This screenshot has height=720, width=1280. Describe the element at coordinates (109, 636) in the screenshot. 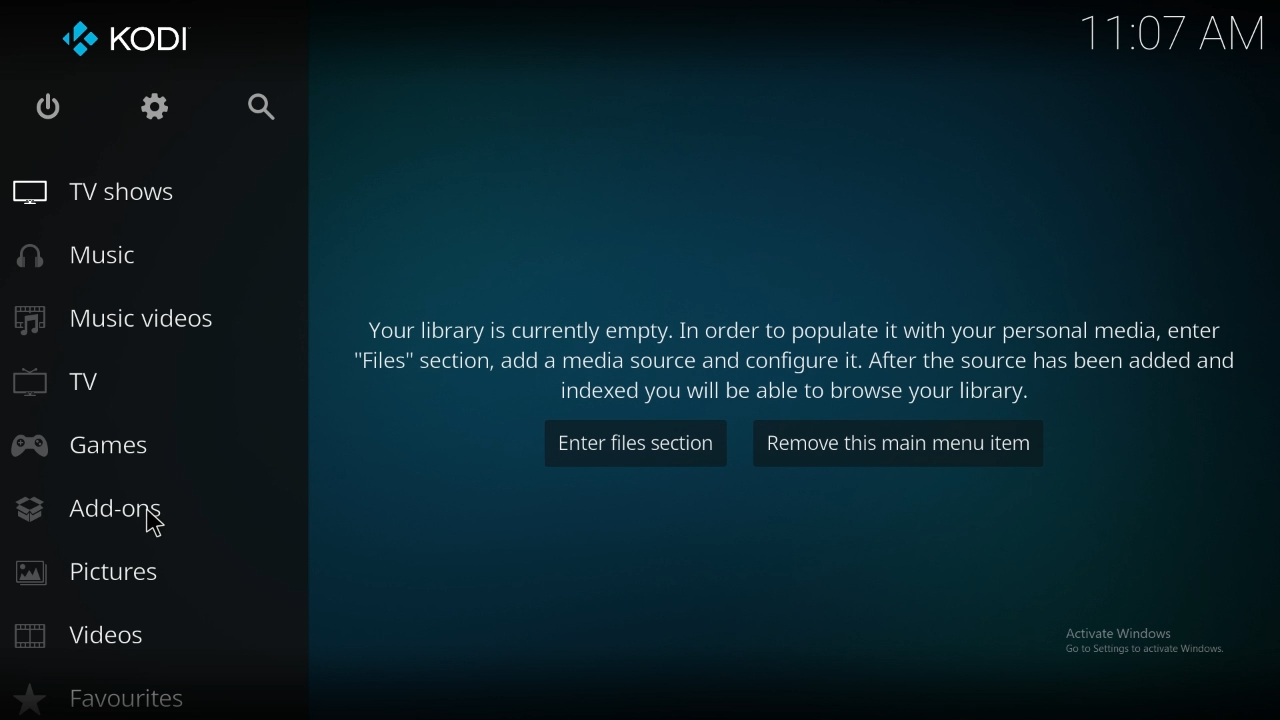

I see `videos` at that location.